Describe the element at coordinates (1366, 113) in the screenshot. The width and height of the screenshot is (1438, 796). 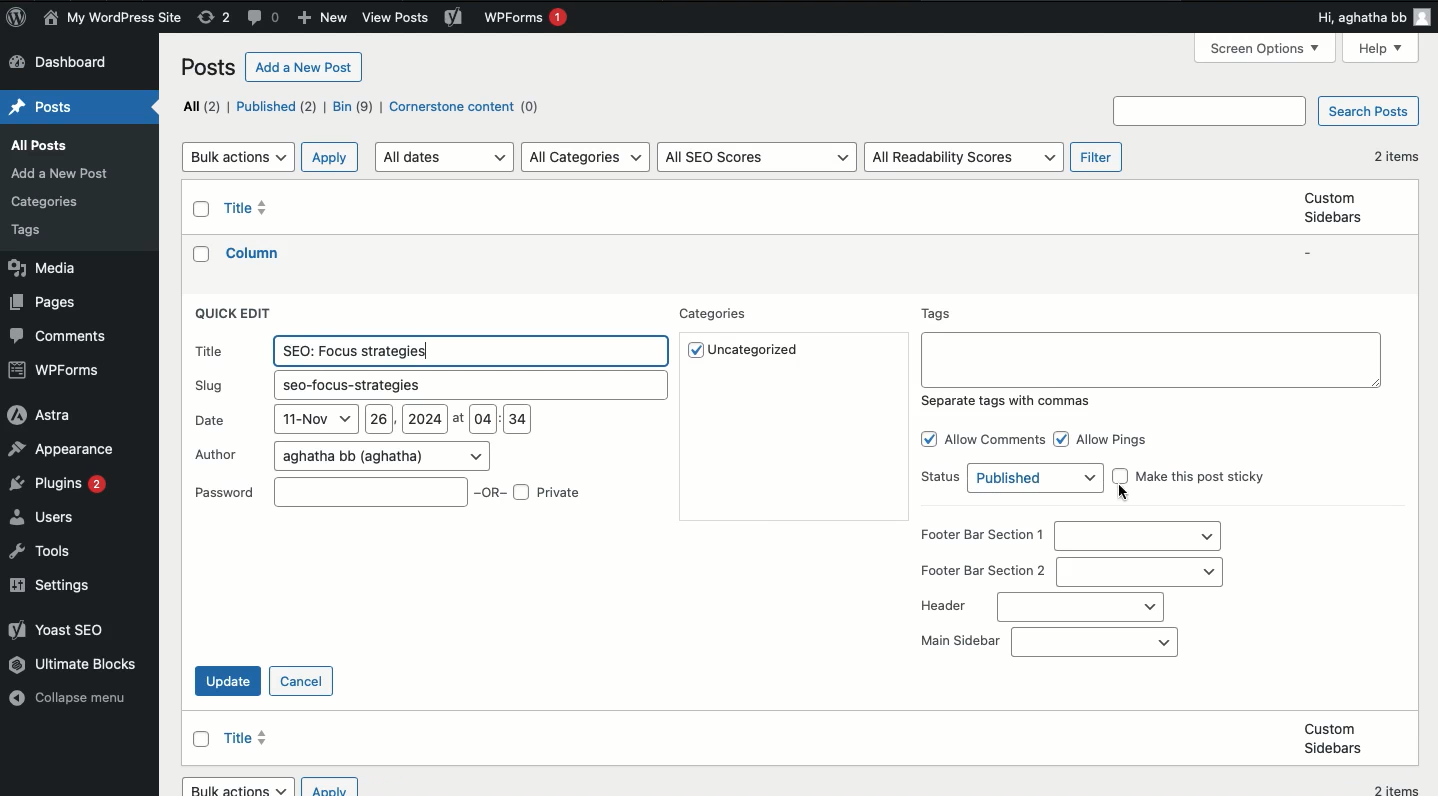
I see `Search posts` at that location.